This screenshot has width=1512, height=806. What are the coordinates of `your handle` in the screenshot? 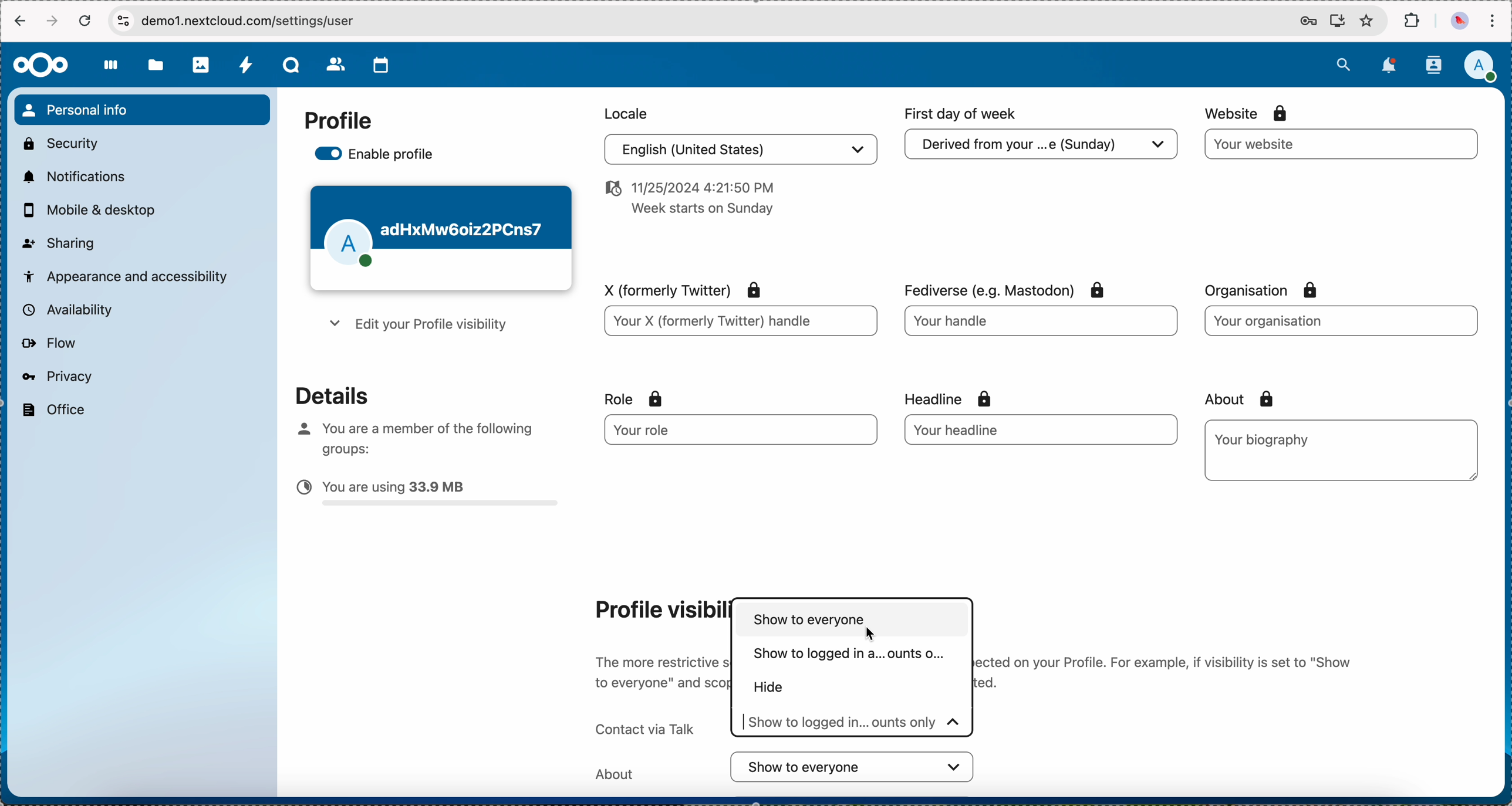 It's located at (1044, 325).